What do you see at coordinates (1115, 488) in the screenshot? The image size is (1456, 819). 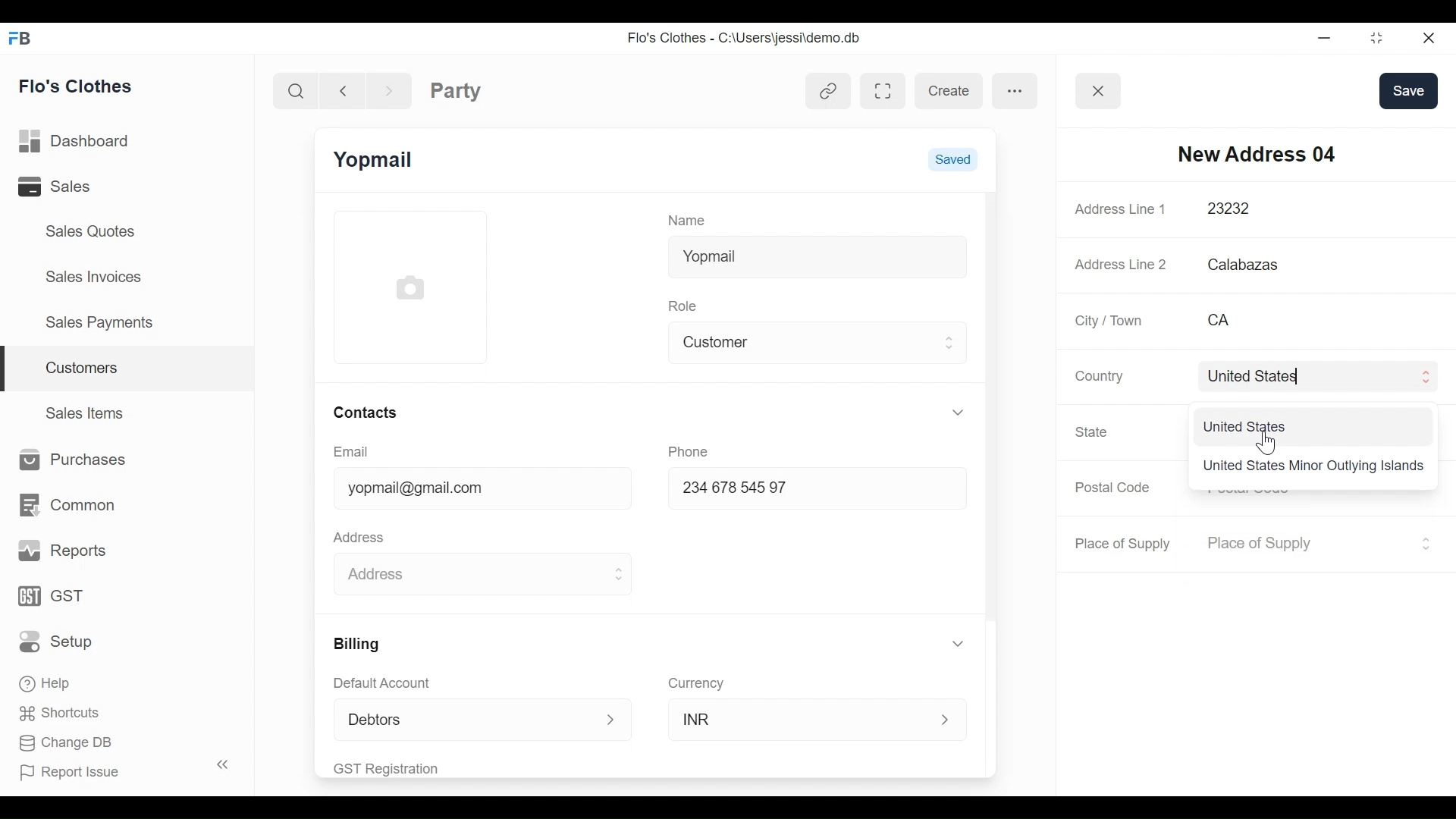 I see `Postal Code` at bounding box center [1115, 488].